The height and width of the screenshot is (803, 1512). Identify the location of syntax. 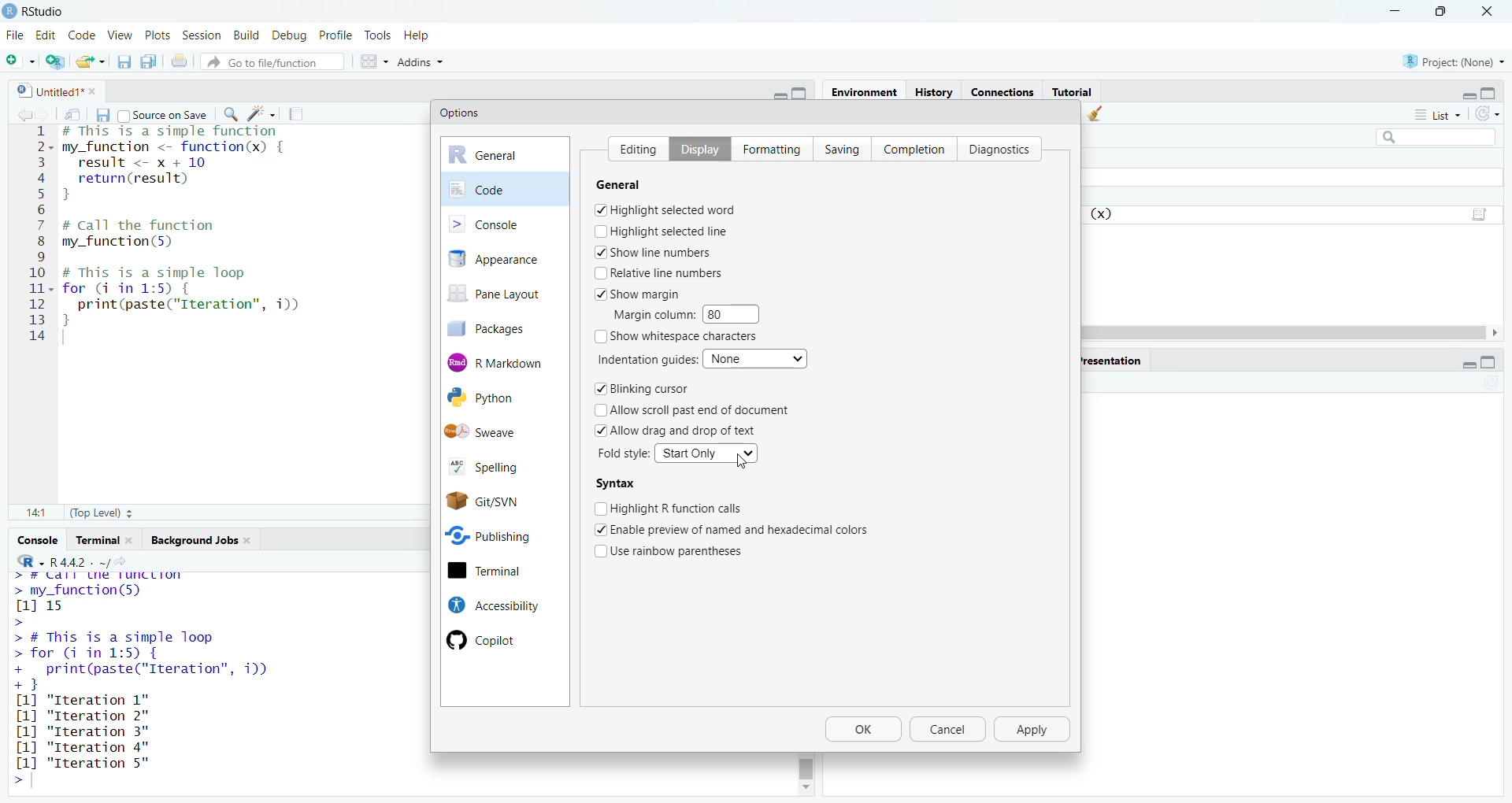
(615, 484).